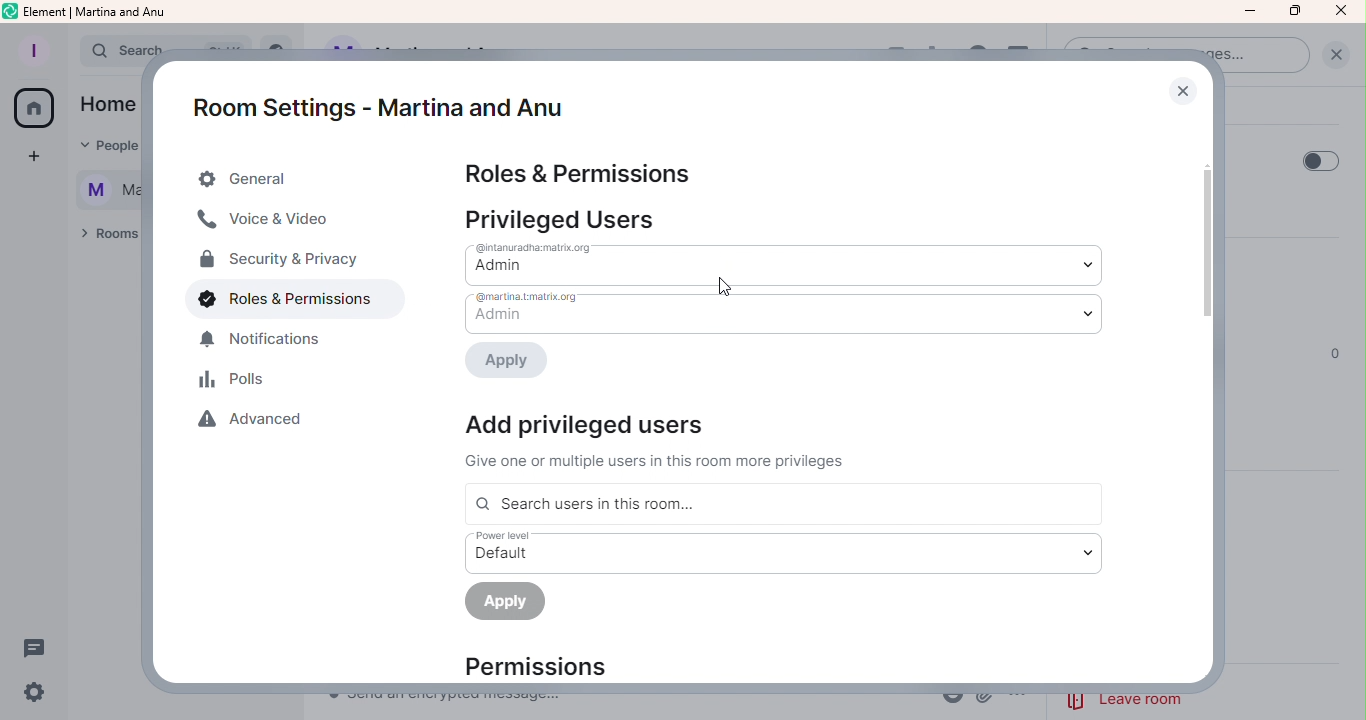 This screenshot has width=1366, height=720. I want to click on Power level, so click(781, 552).